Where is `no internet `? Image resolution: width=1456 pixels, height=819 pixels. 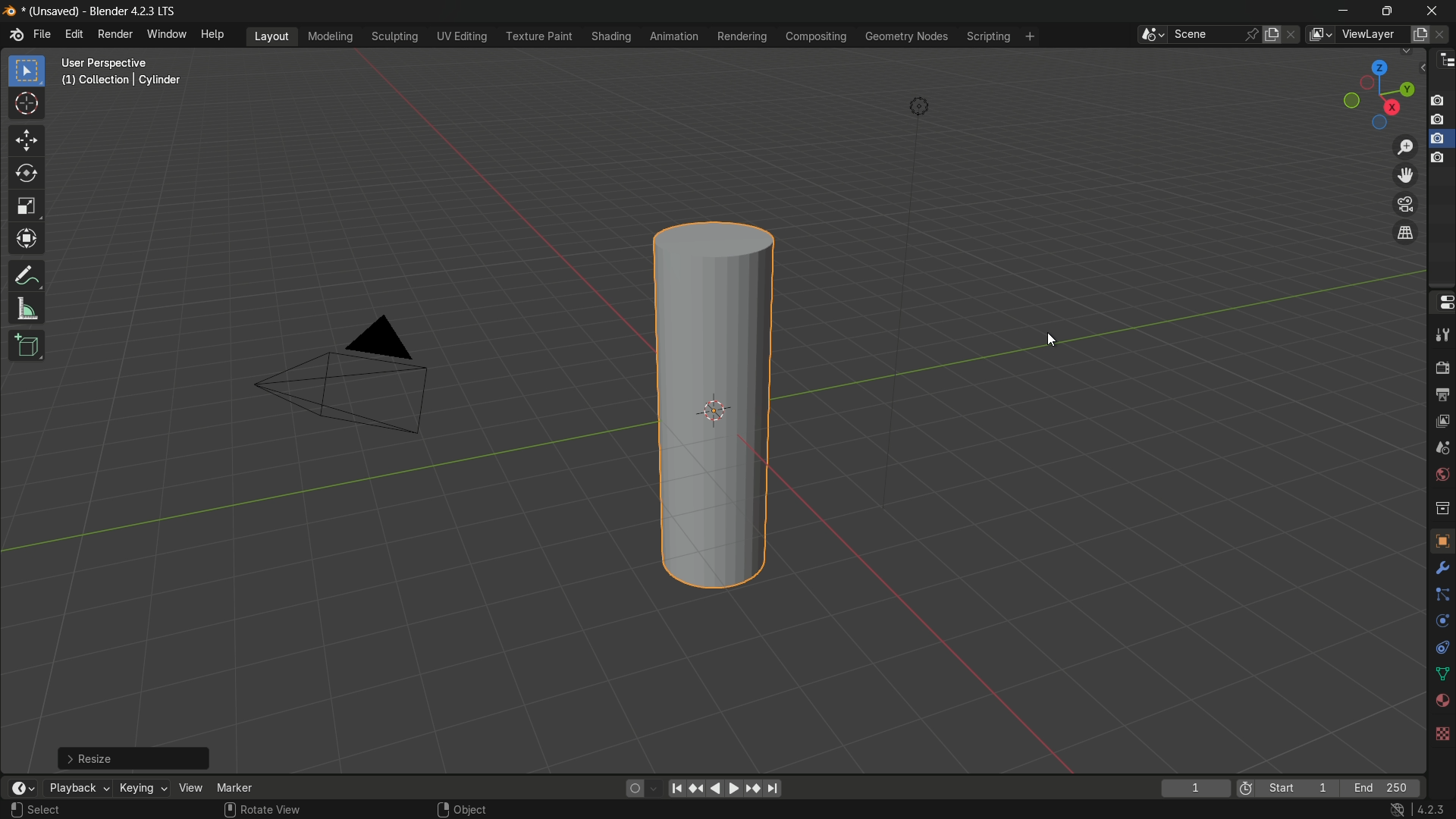
no internet  is located at coordinates (1395, 809).